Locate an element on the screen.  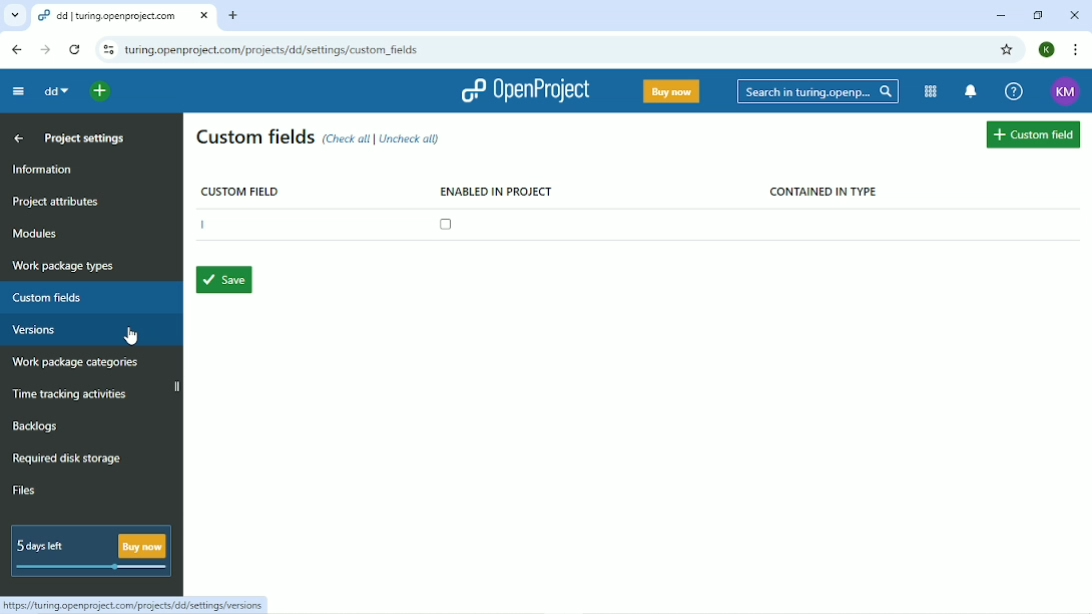
backward is located at coordinates (14, 49).